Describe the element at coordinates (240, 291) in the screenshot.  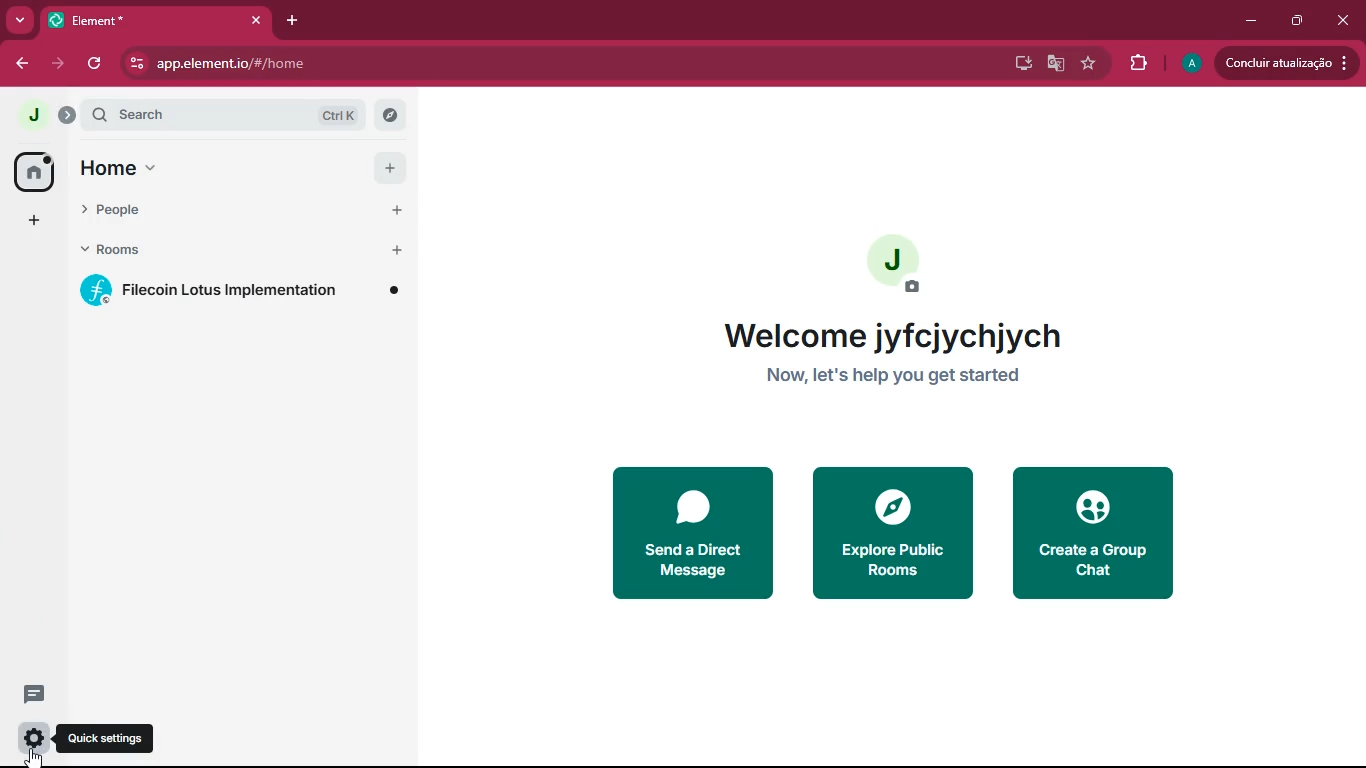
I see `filecoin lotus implementation` at that location.